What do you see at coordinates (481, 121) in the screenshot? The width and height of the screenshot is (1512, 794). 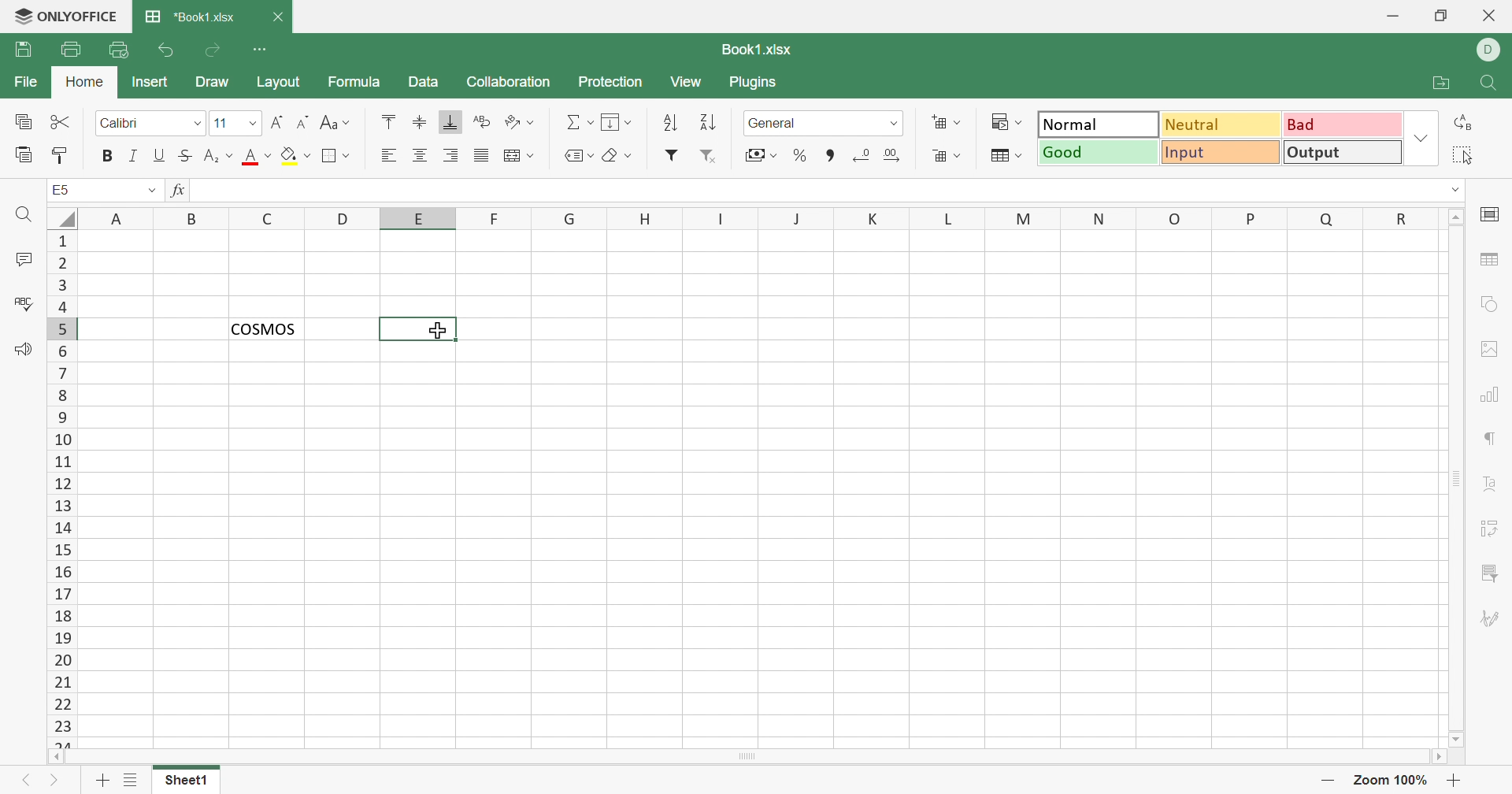 I see `Wrap text` at bounding box center [481, 121].